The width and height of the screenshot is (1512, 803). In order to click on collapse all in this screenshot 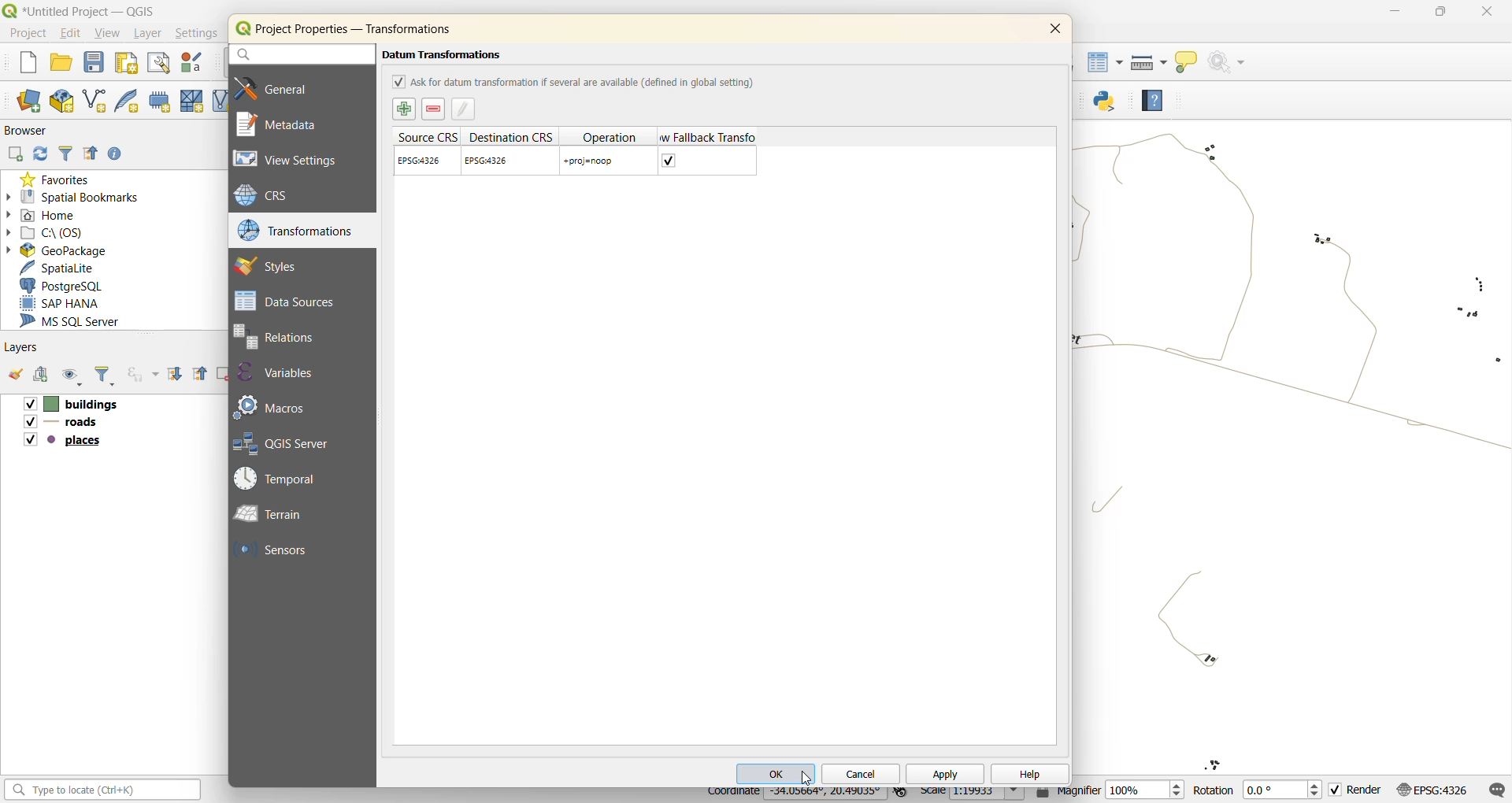, I will do `click(91, 156)`.